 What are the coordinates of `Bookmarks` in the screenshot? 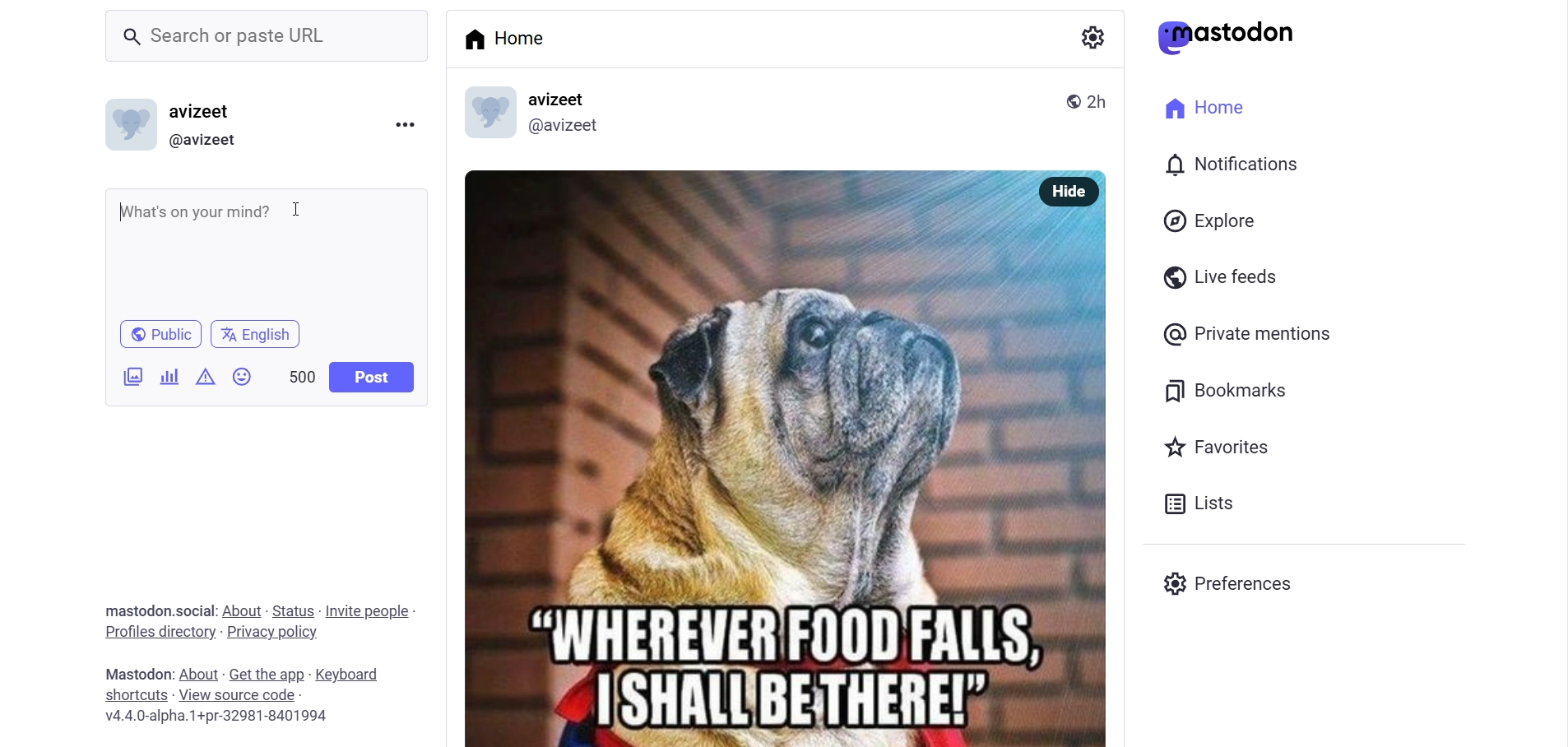 It's located at (1238, 392).